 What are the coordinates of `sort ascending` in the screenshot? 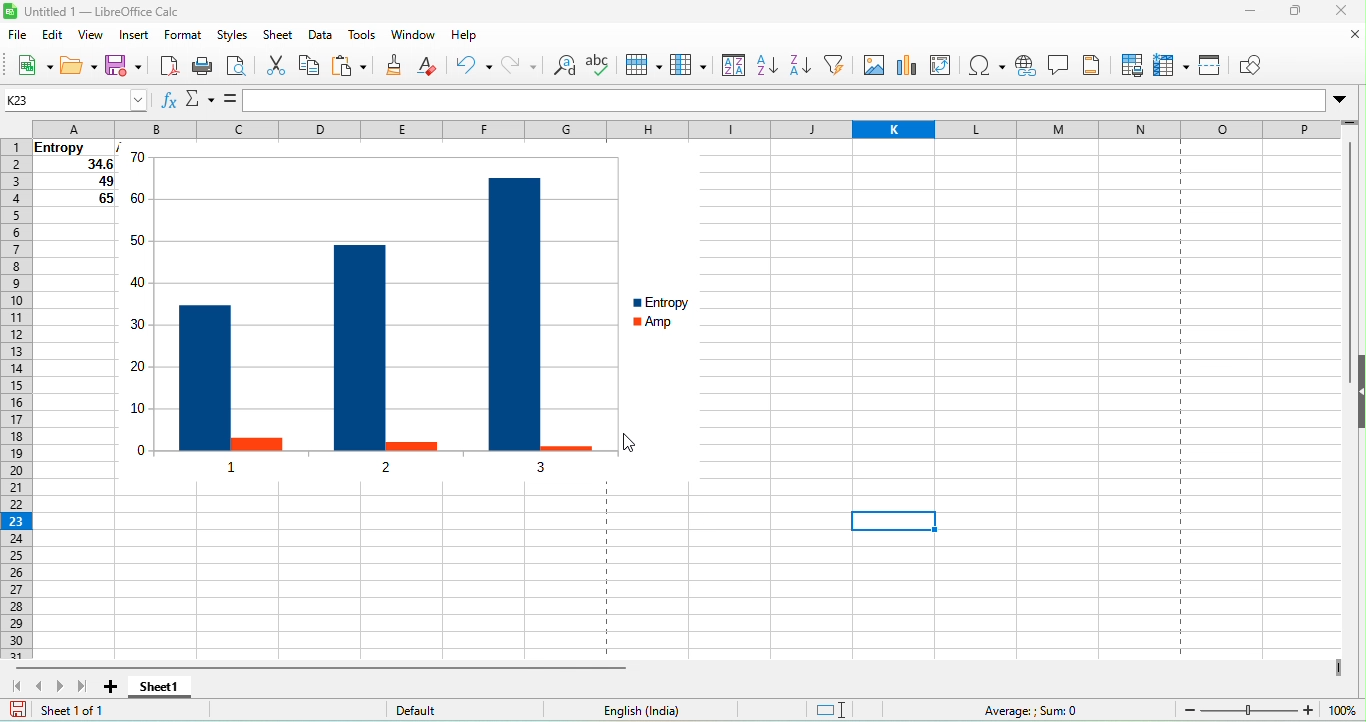 It's located at (768, 64).